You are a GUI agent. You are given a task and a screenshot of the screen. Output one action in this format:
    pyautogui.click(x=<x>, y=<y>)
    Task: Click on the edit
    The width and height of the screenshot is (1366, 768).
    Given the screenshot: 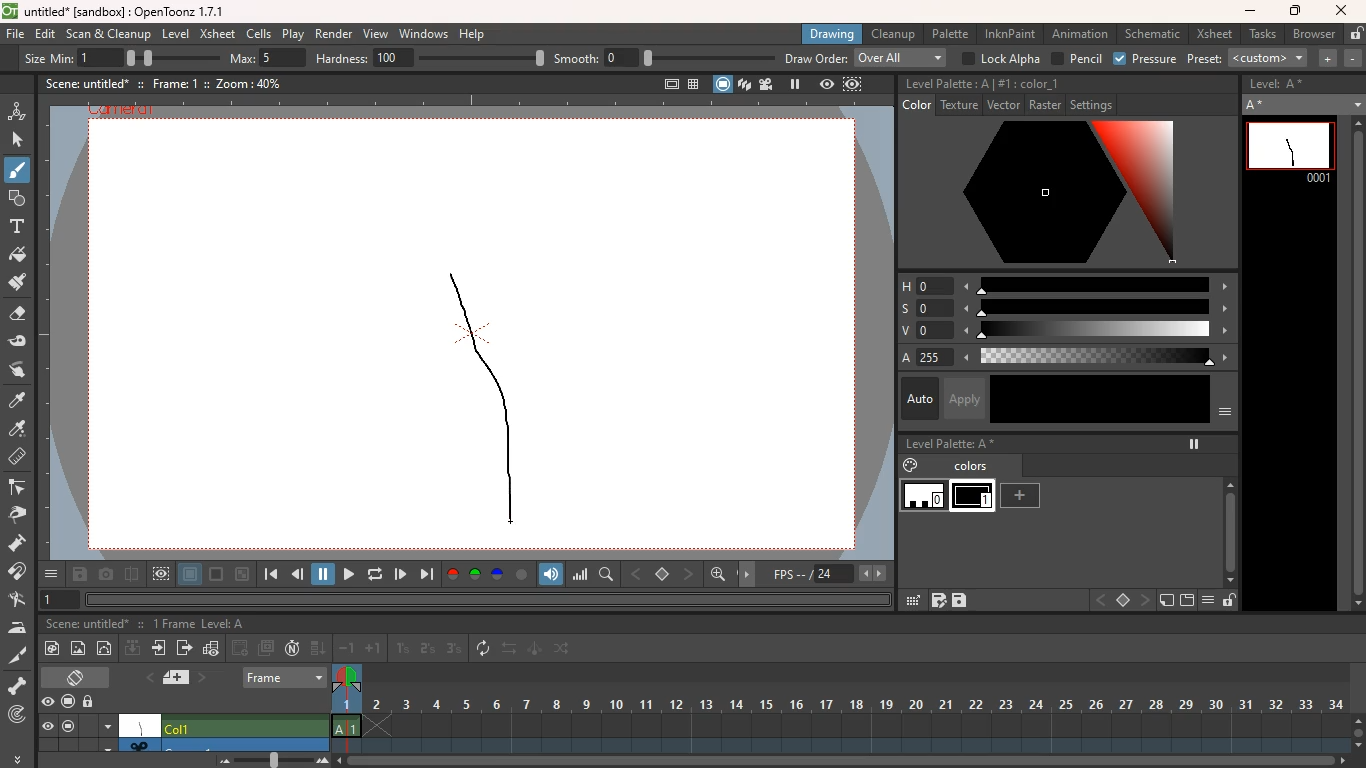 What is the action you would take?
    pyautogui.click(x=46, y=34)
    